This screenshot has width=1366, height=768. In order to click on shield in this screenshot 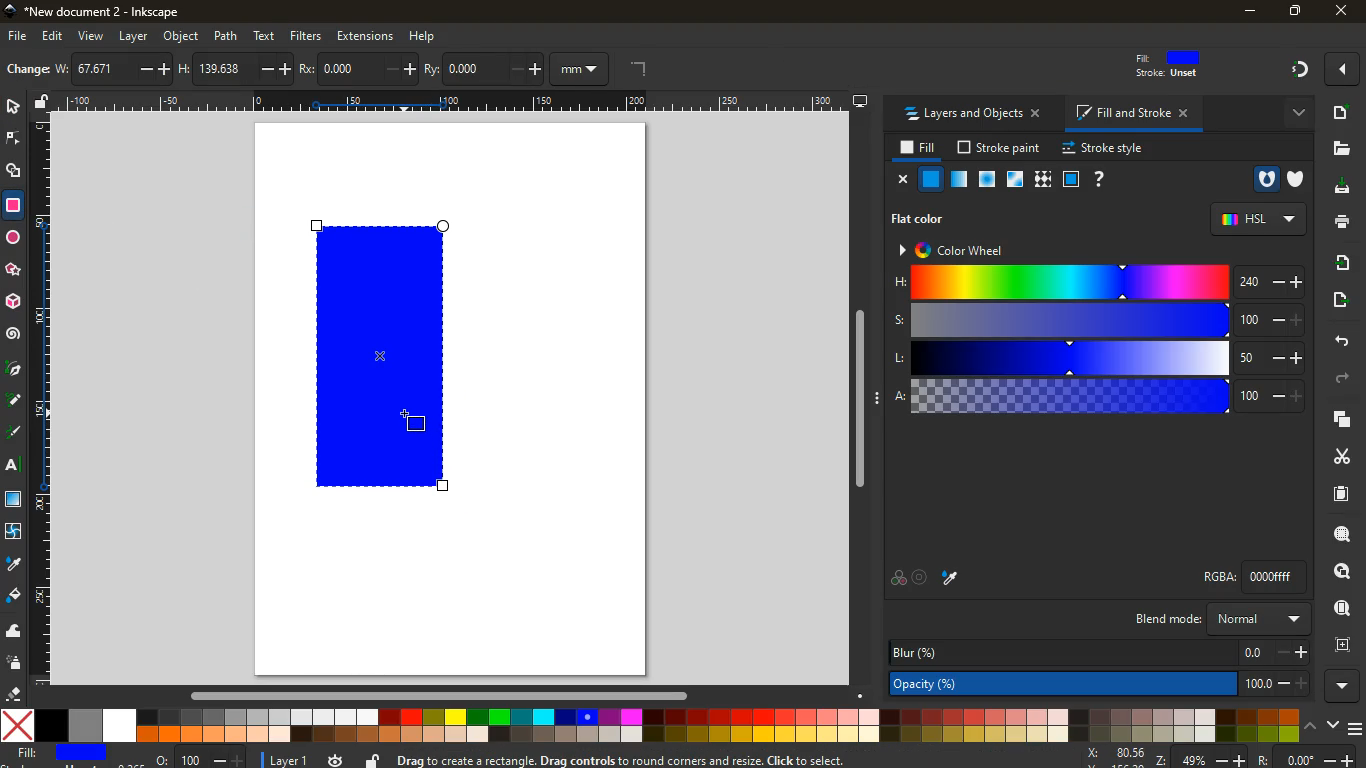, I will do `click(1293, 179)`.